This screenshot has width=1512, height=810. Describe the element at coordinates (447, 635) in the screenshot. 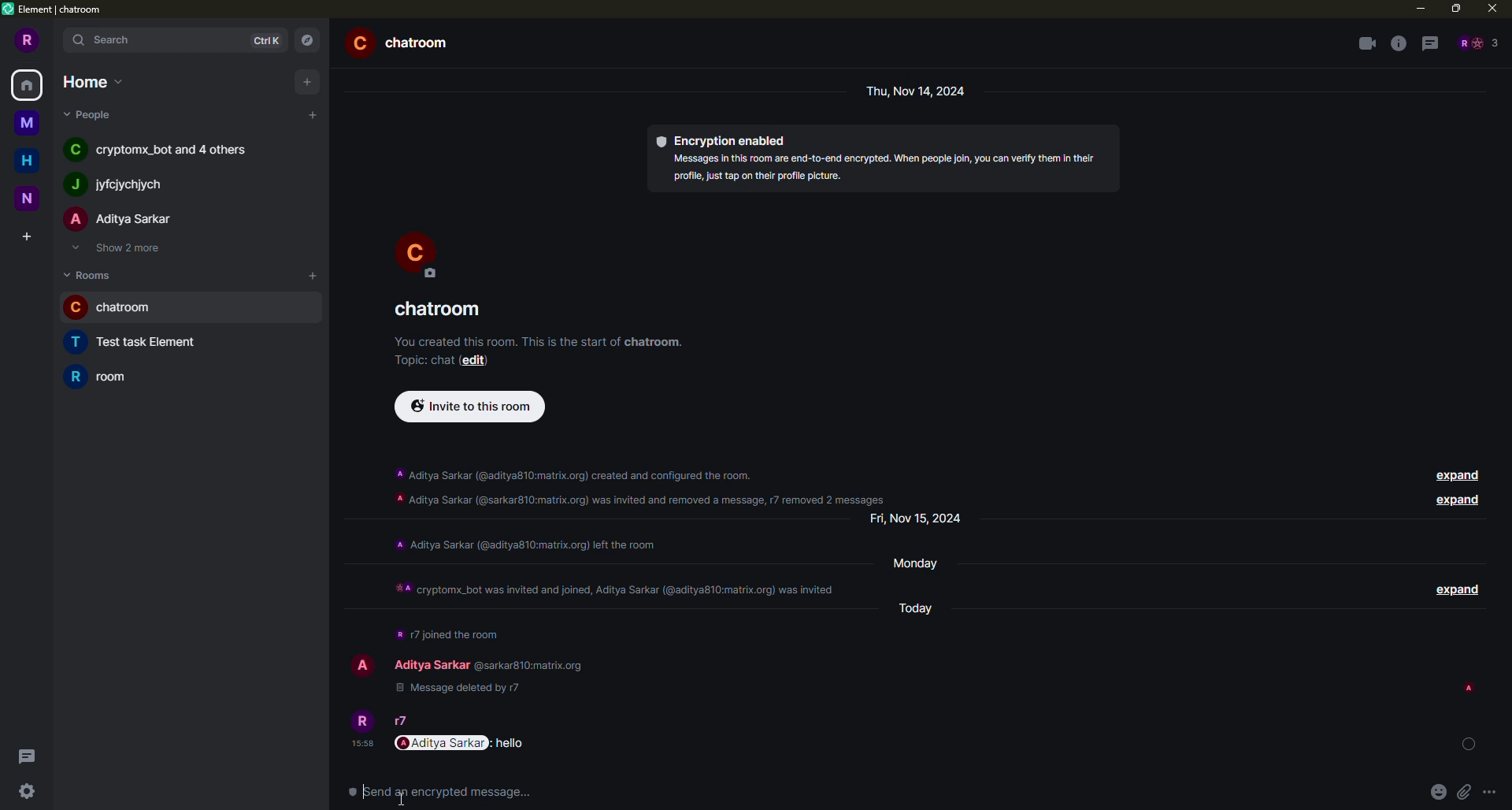

I see `info` at that location.